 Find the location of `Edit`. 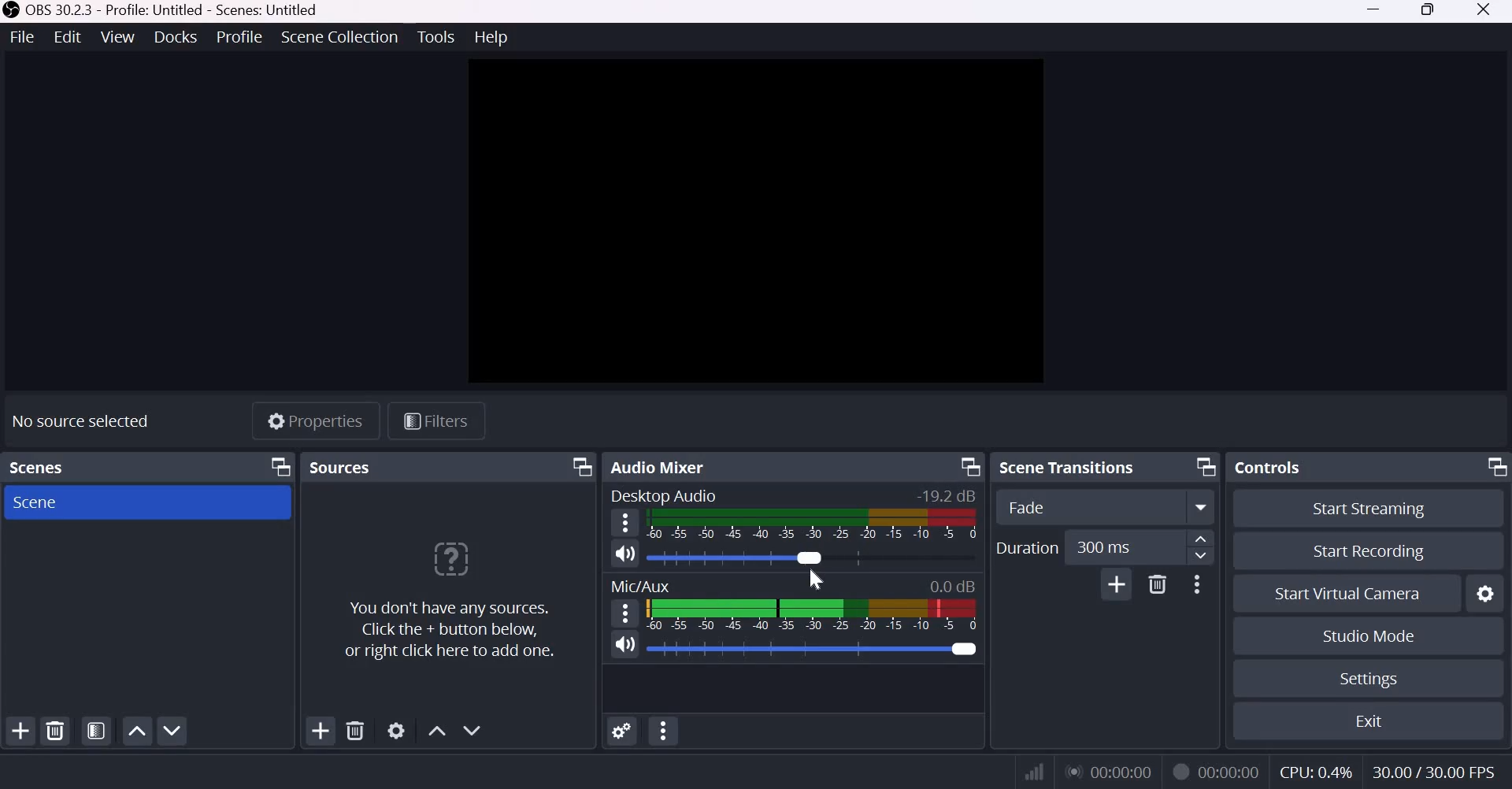

Edit is located at coordinates (68, 36).